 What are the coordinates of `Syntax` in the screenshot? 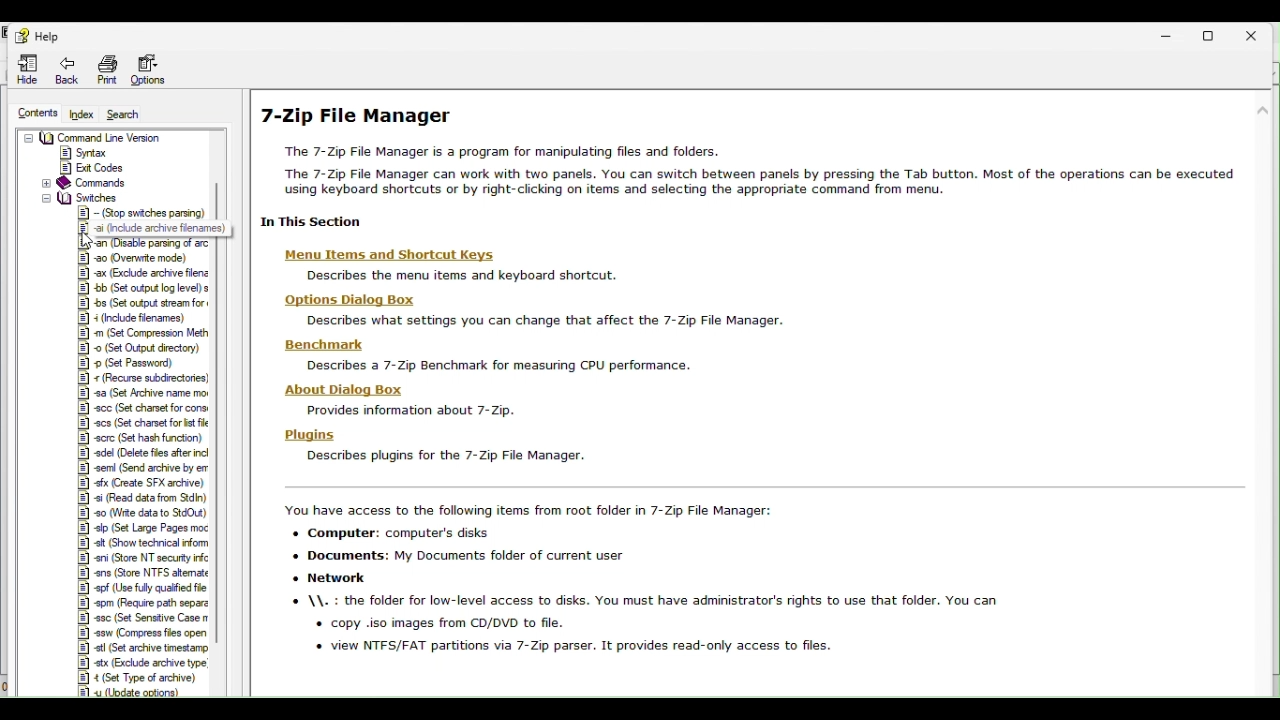 It's located at (82, 152).